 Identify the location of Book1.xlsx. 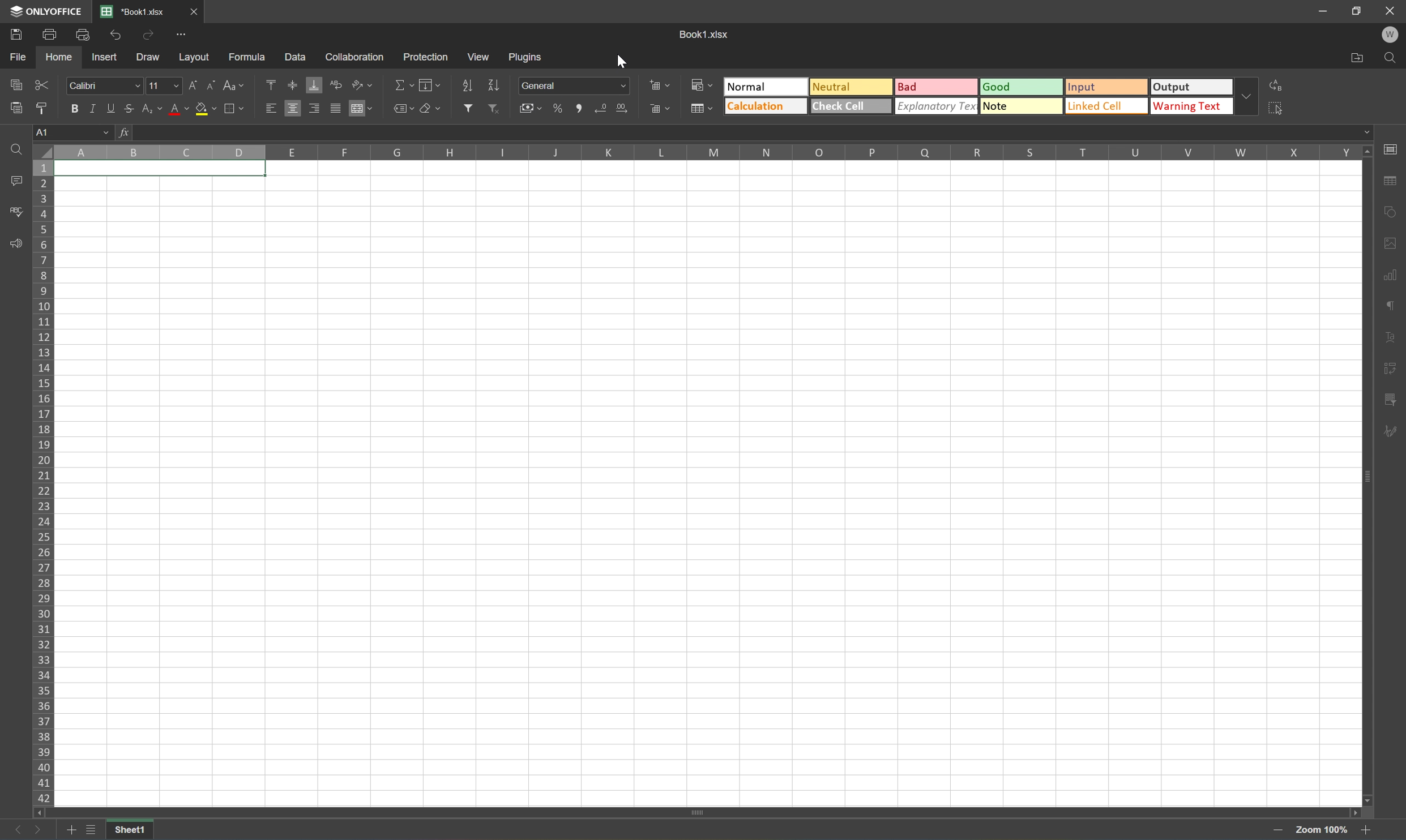
(132, 12).